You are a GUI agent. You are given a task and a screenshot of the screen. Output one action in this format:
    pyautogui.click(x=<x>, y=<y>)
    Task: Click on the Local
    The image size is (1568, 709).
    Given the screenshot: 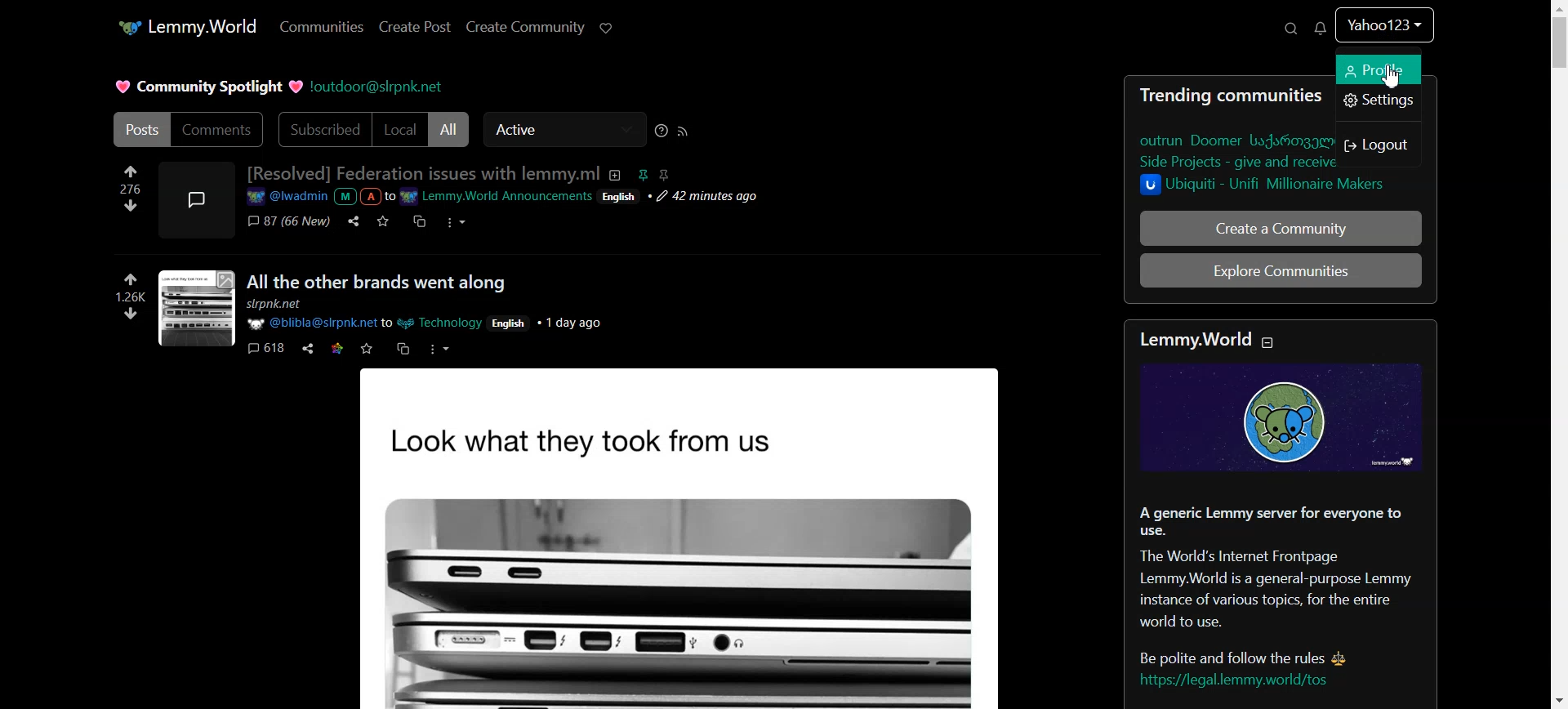 What is the action you would take?
    pyautogui.click(x=401, y=130)
    